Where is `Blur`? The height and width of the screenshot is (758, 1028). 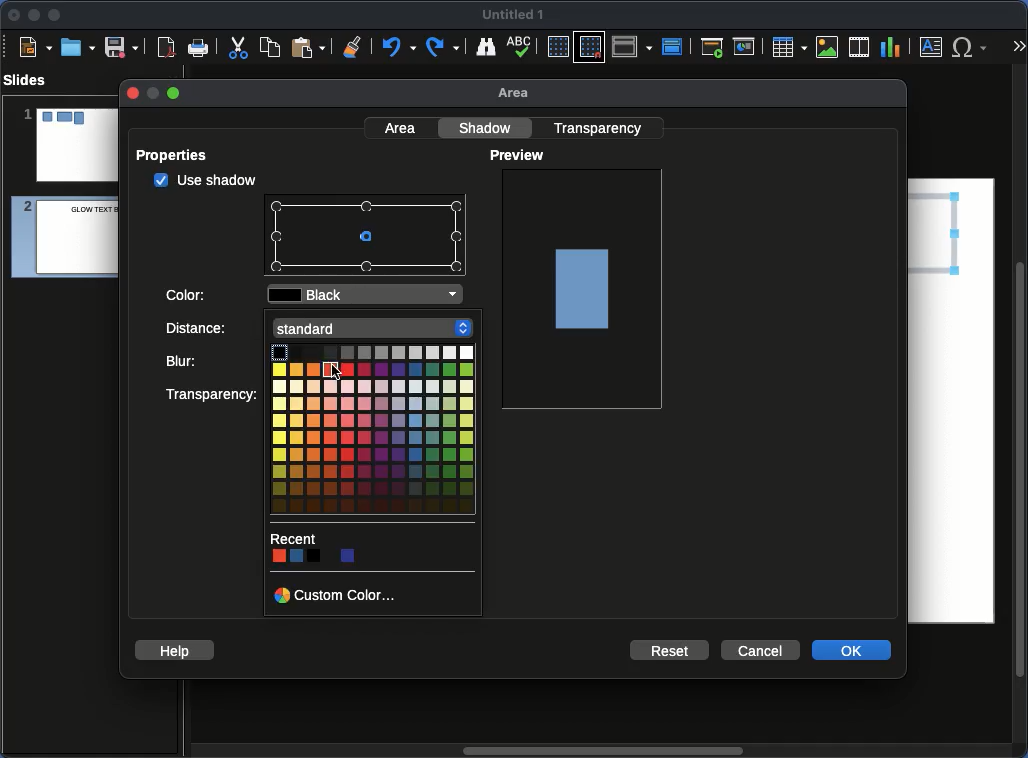 Blur is located at coordinates (213, 362).